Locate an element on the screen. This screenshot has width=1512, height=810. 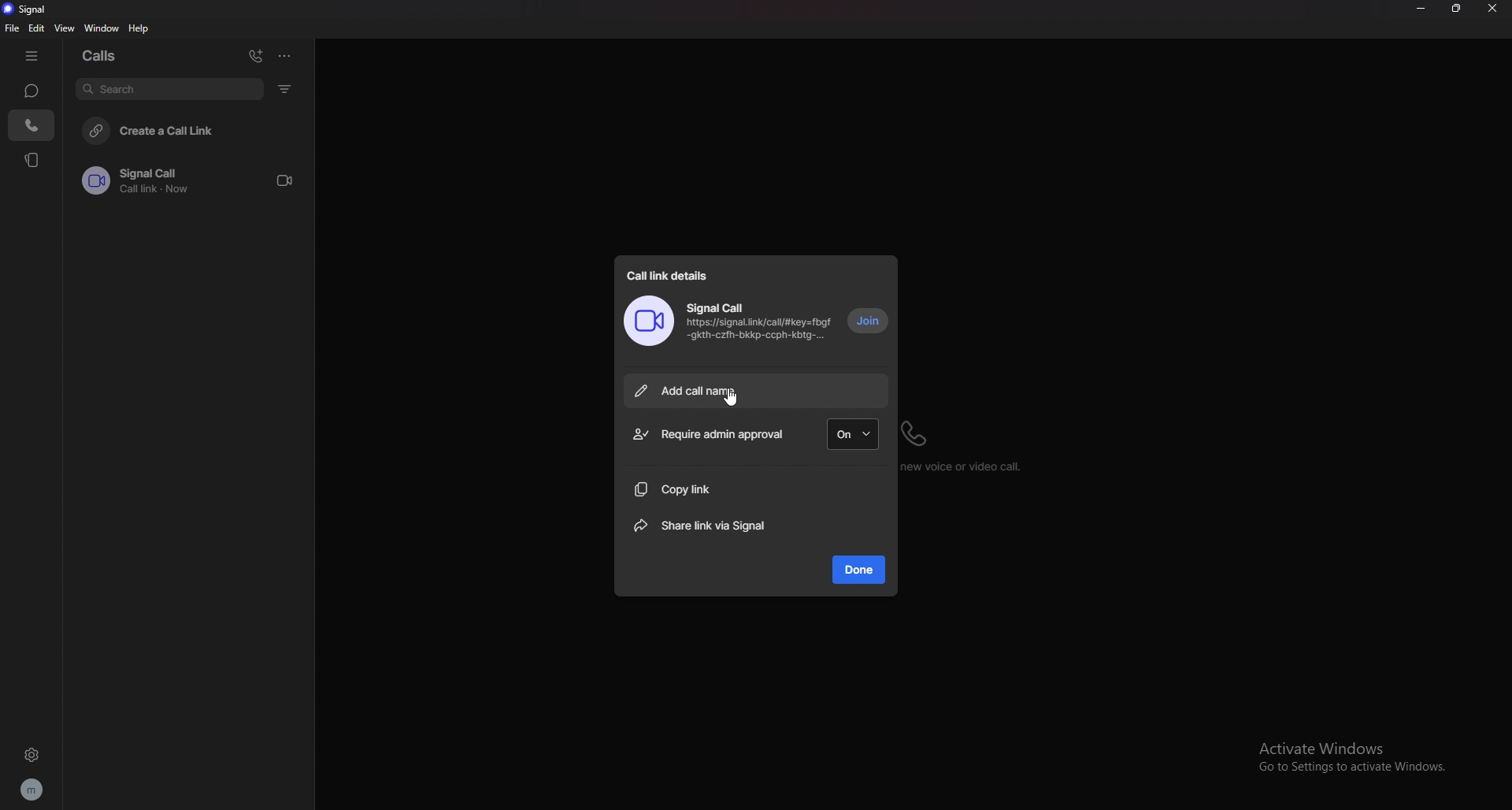
window is located at coordinates (105, 28).